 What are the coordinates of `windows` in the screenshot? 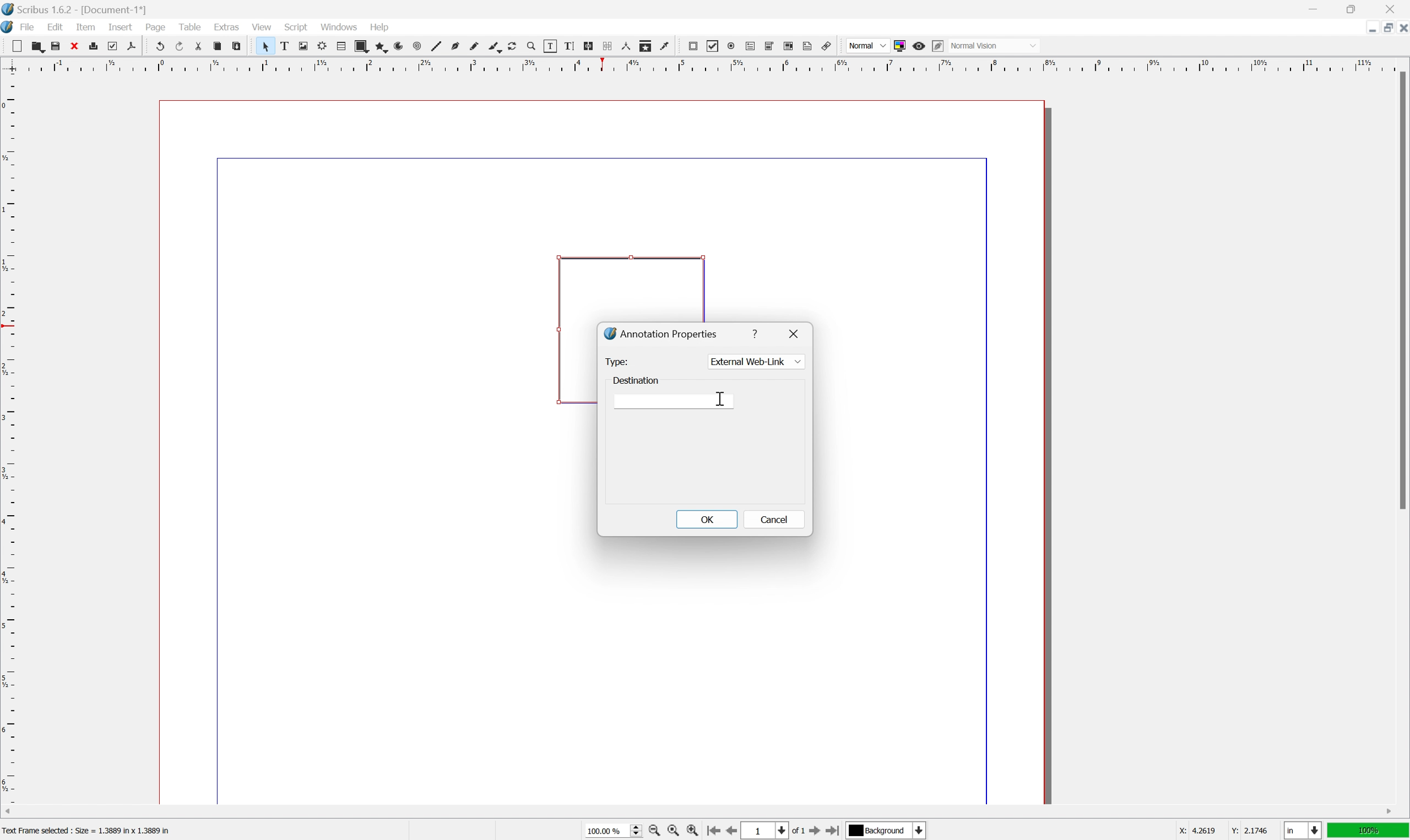 It's located at (339, 26).